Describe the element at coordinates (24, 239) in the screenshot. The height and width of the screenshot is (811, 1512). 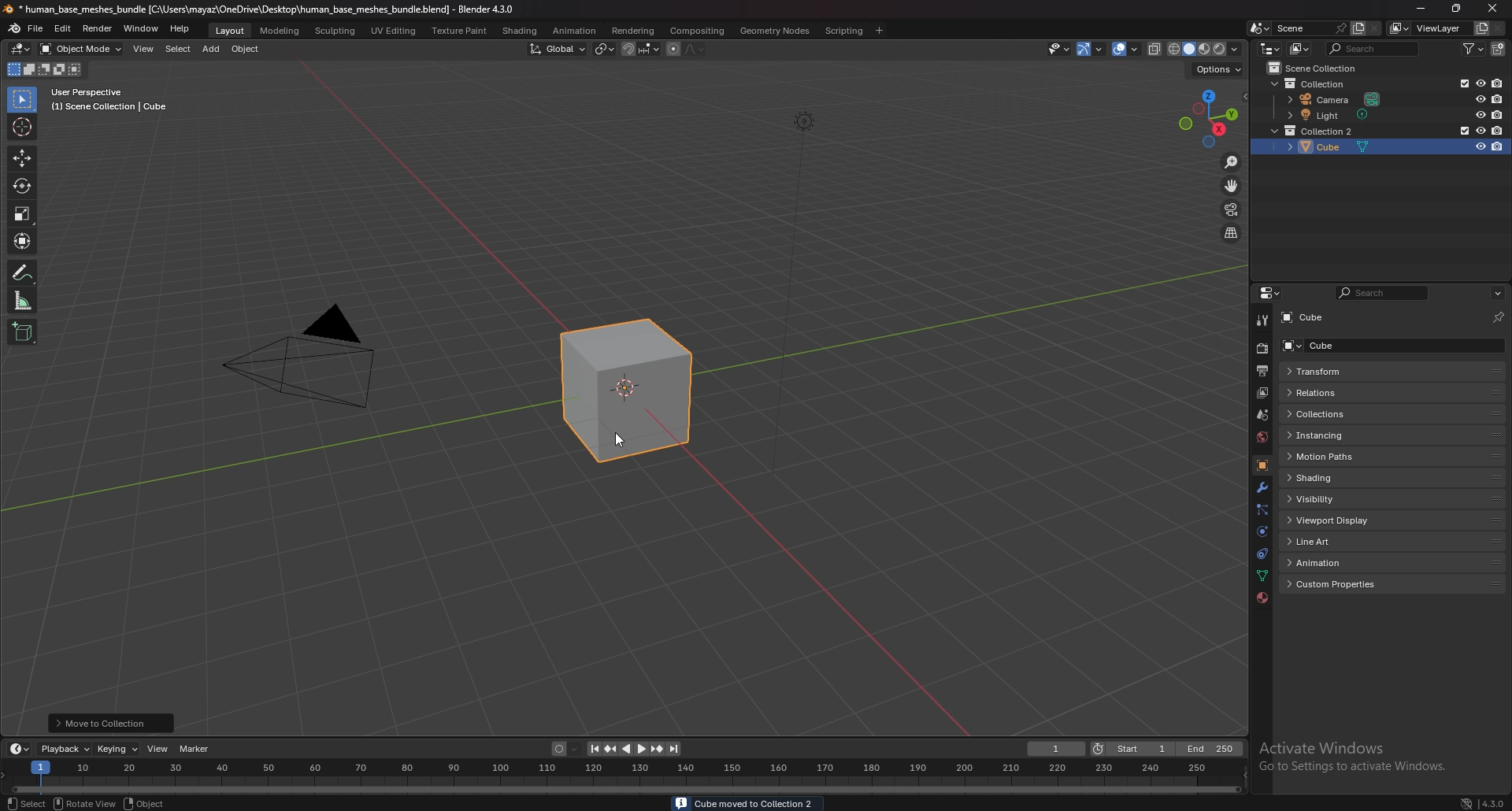
I see `transform` at that location.